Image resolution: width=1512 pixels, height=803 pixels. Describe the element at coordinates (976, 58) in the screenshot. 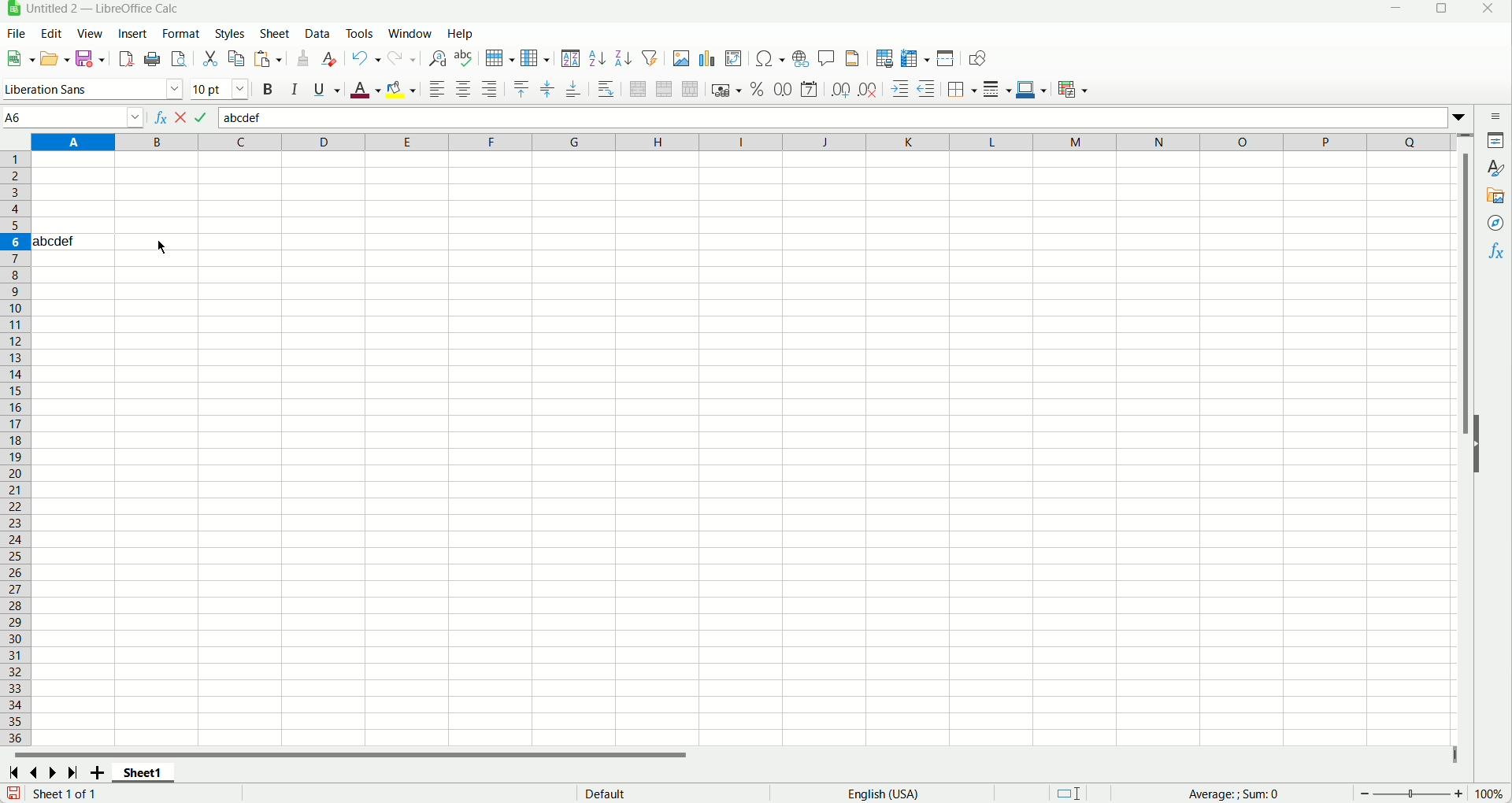

I see `draw function` at that location.